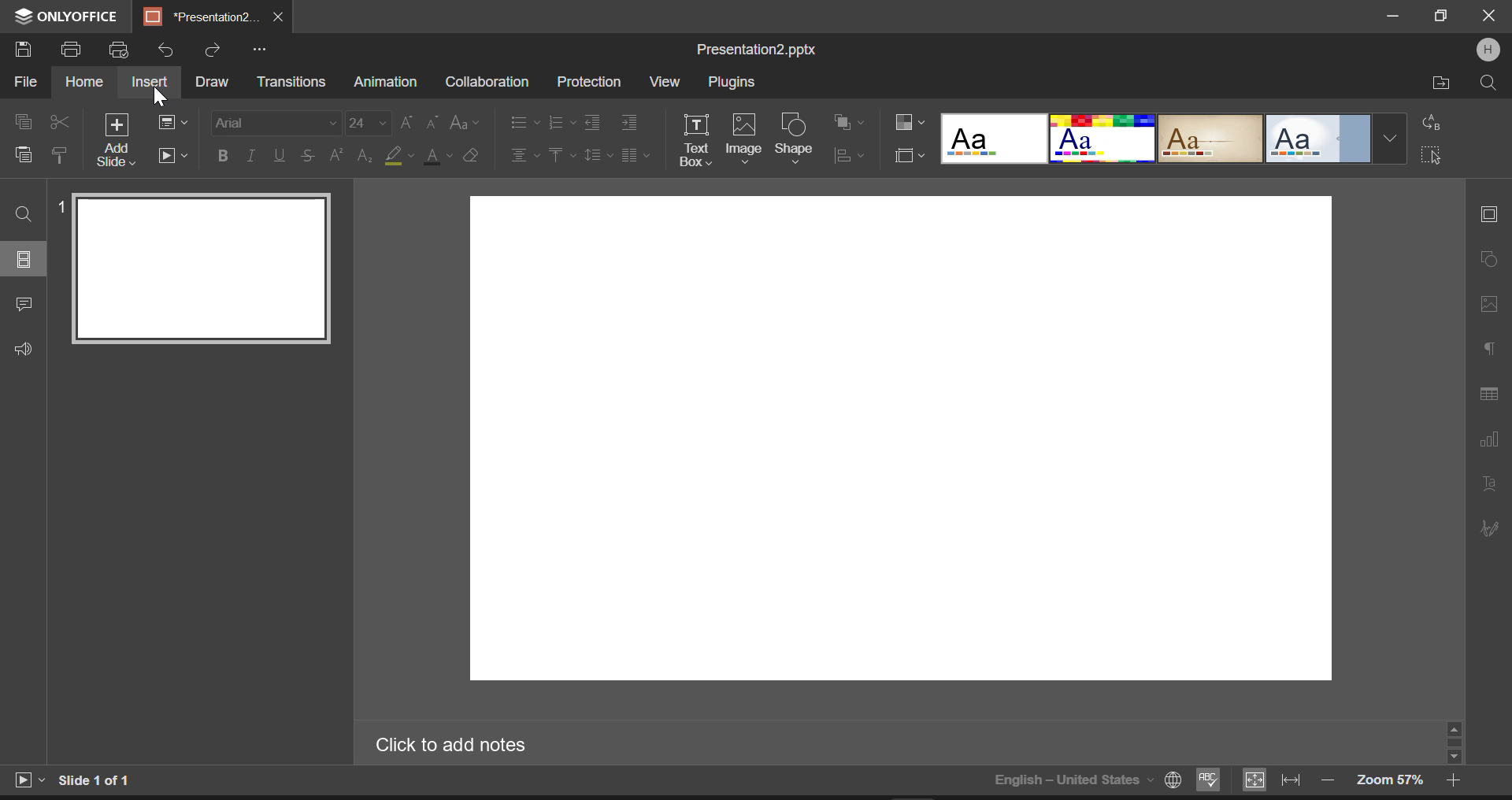 Image resolution: width=1512 pixels, height=800 pixels. I want to click on Minimize, so click(1443, 17).